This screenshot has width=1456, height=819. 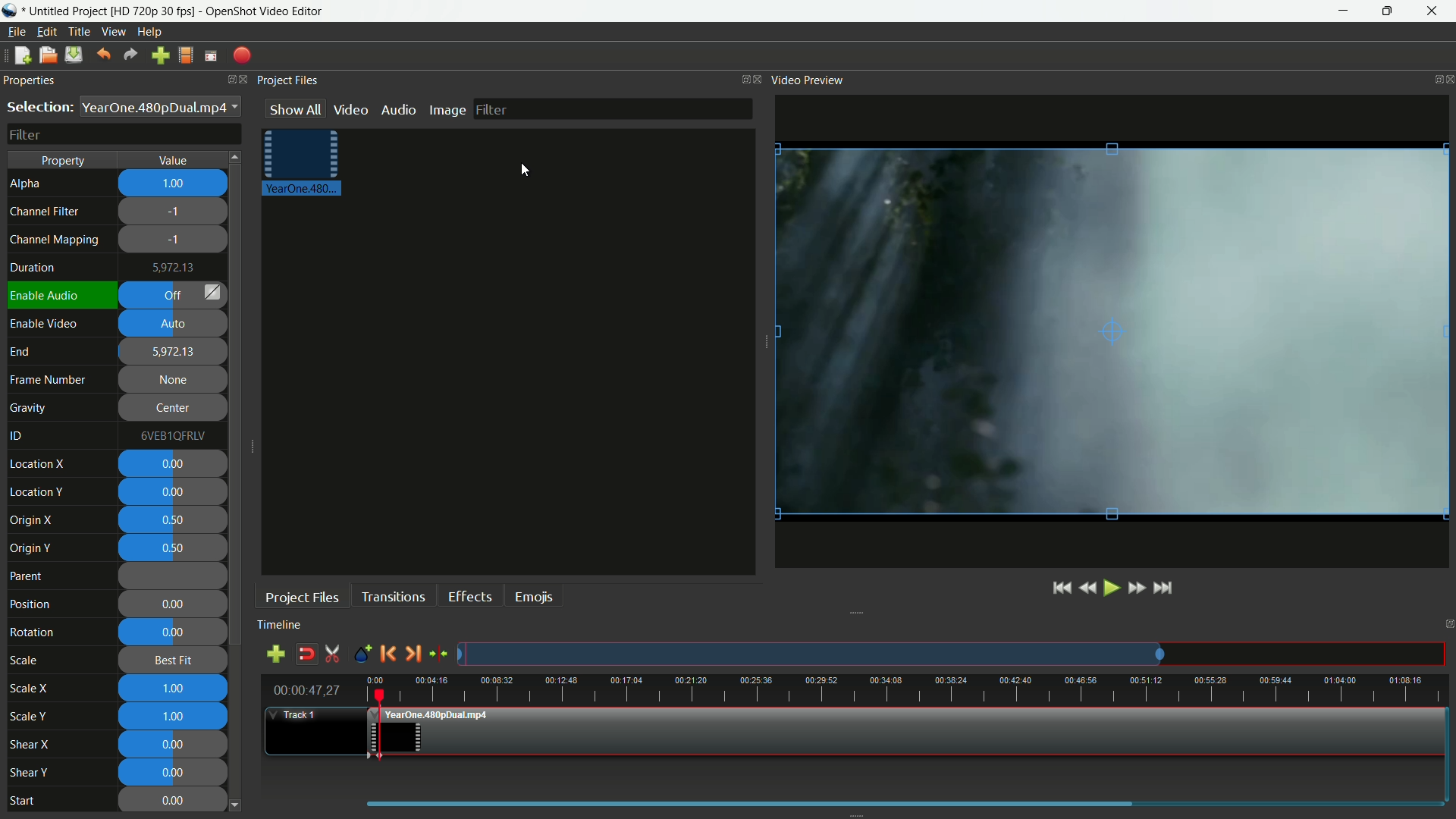 What do you see at coordinates (351, 108) in the screenshot?
I see `video` at bounding box center [351, 108].